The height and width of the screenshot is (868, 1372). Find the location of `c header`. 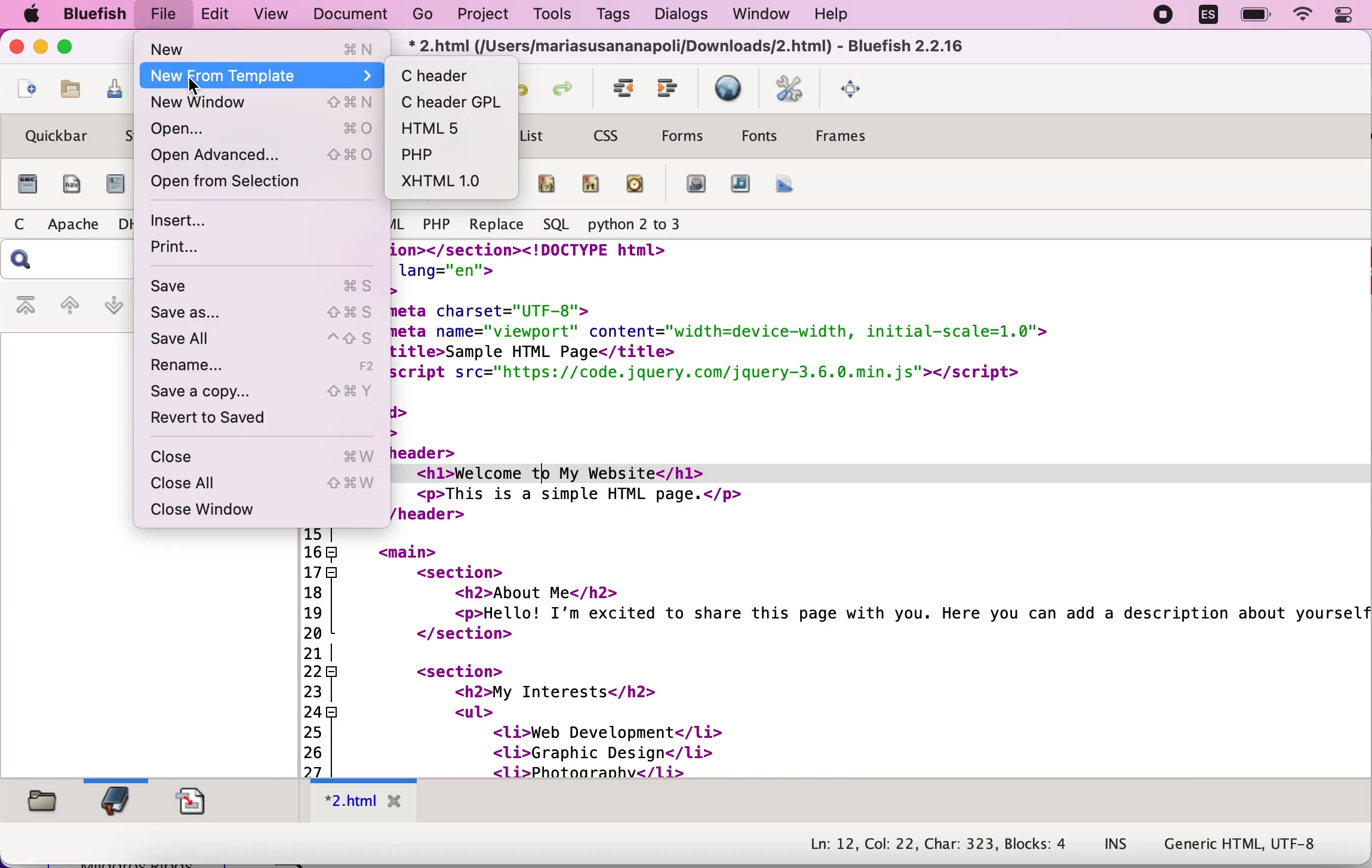

c header is located at coordinates (447, 75).